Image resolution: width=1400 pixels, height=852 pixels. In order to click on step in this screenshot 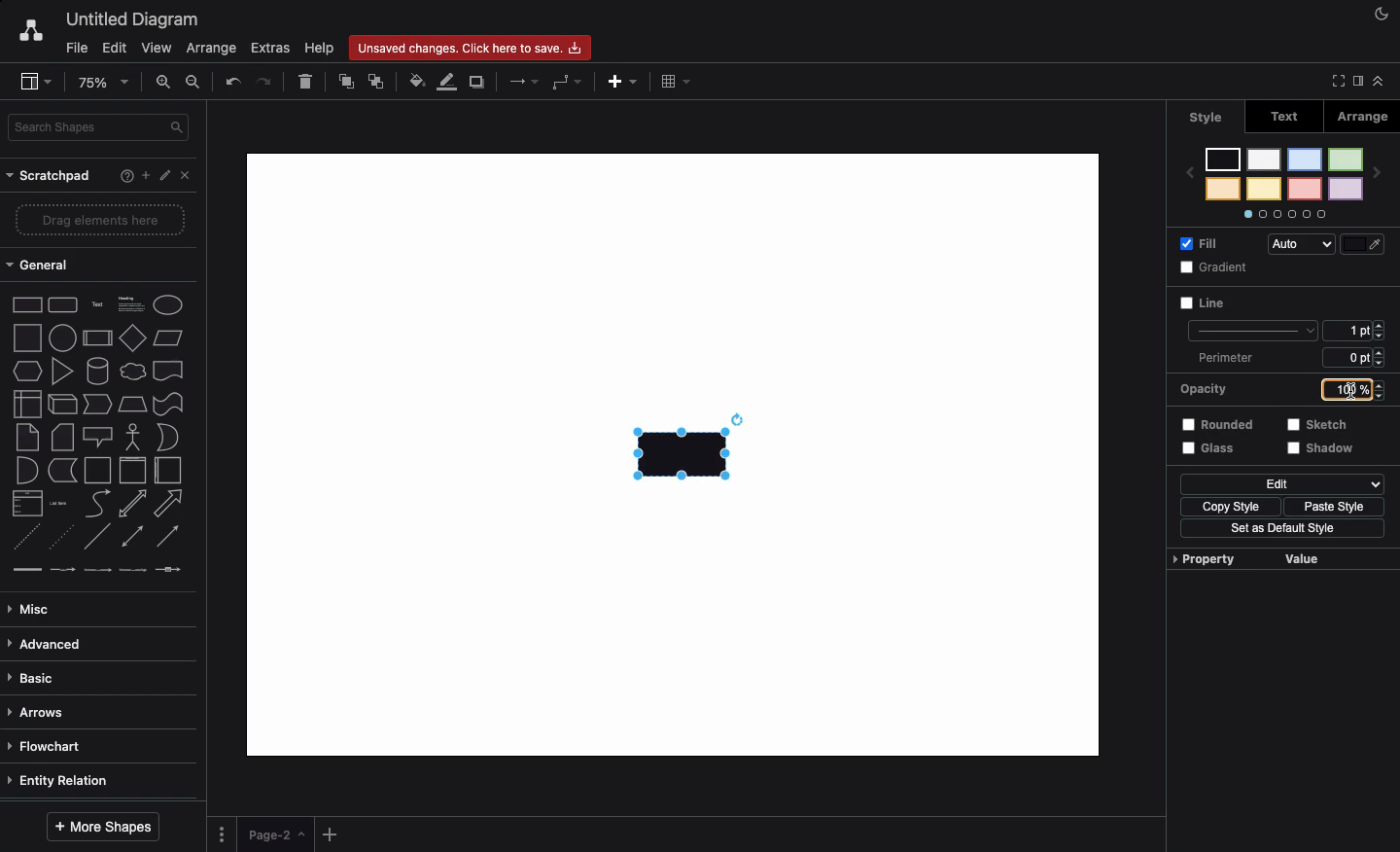, I will do `click(92, 404)`.